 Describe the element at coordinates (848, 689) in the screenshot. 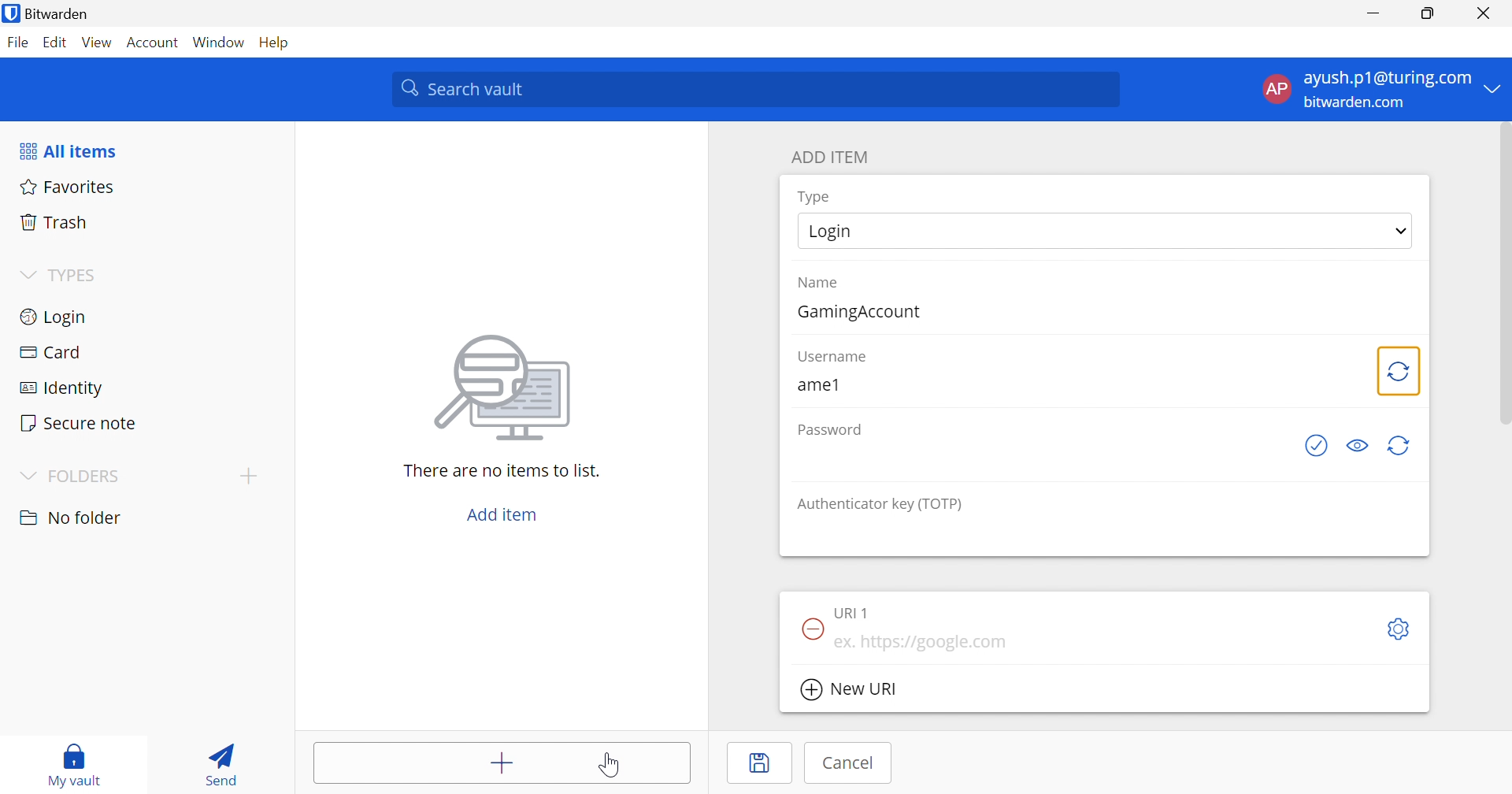

I see `New URI` at that location.